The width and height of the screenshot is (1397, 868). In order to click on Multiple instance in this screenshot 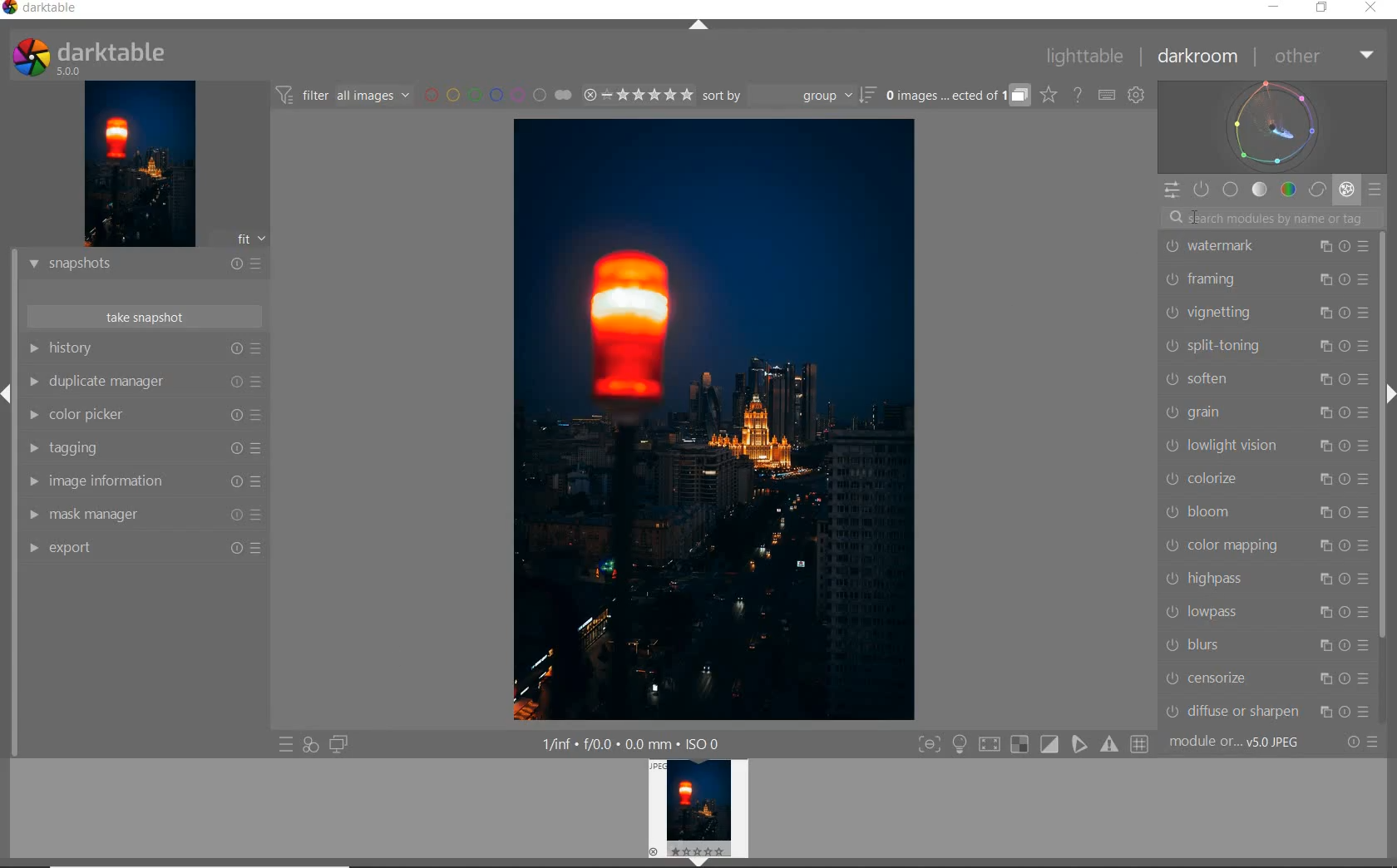, I will do `click(1318, 346)`.